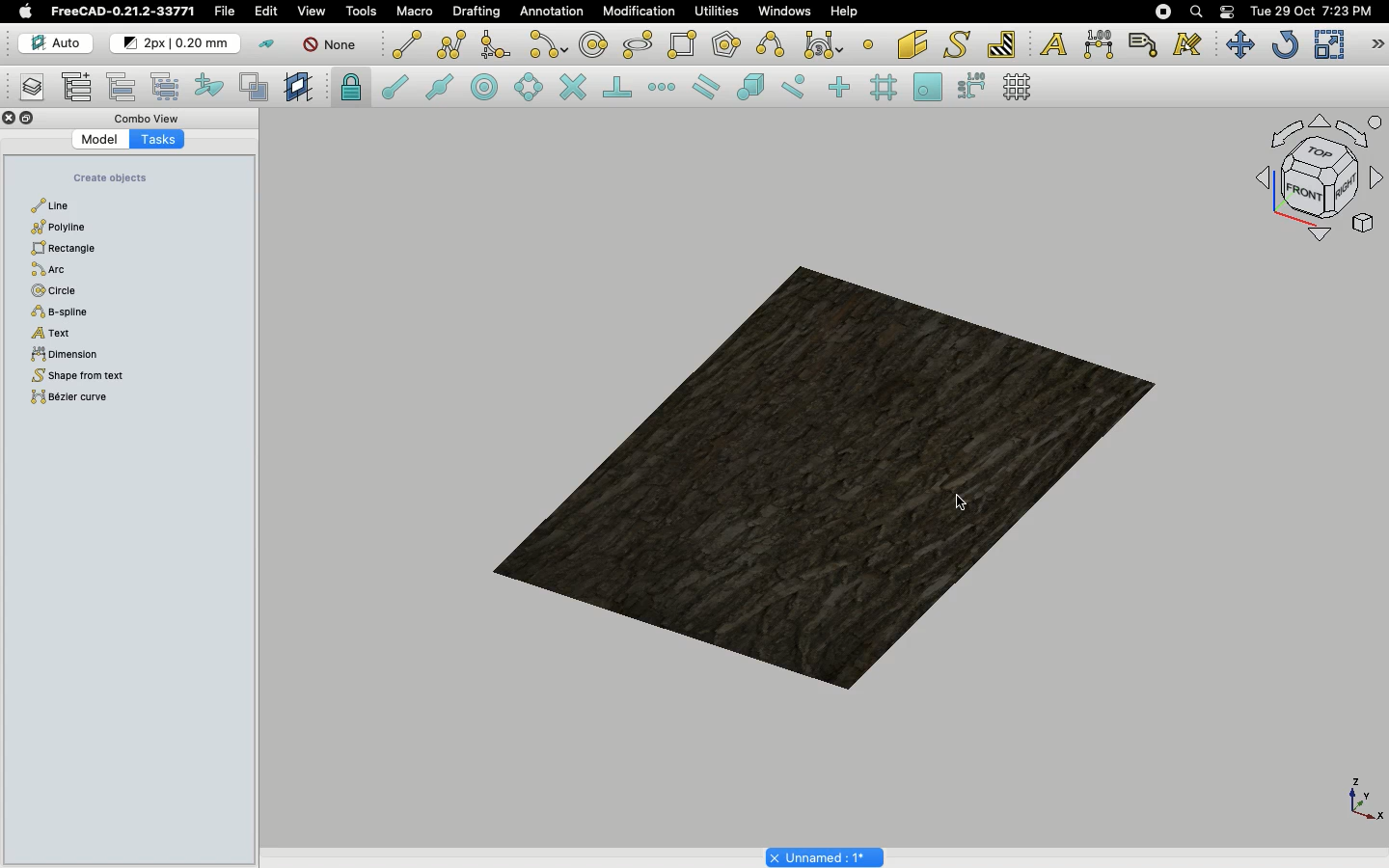 Image resolution: width=1389 pixels, height=868 pixels. What do you see at coordinates (109, 178) in the screenshot?
I see `Create objects` at bounding box center [109, 178].